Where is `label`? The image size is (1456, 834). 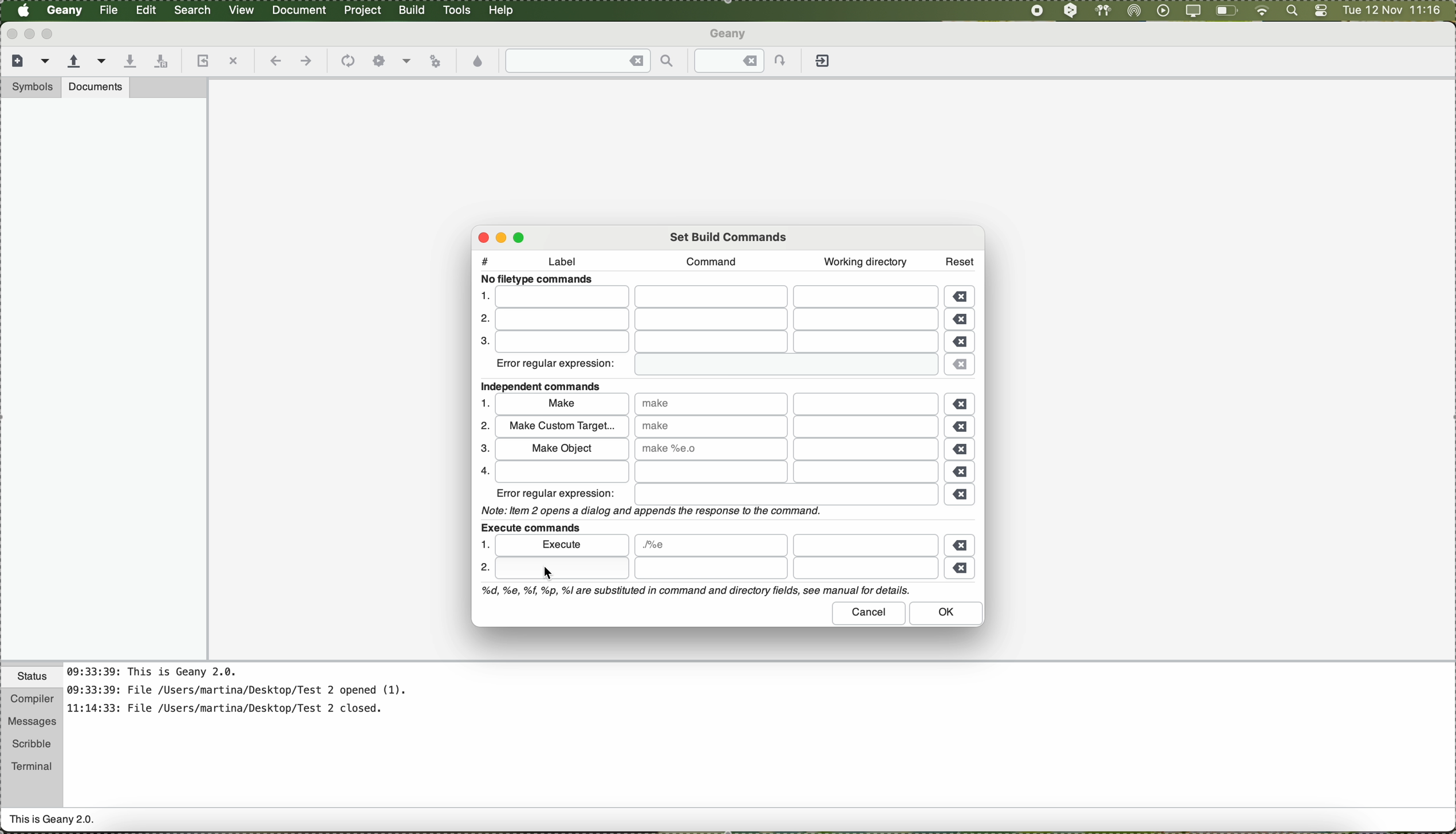
label is located at coordinates (568, 263).